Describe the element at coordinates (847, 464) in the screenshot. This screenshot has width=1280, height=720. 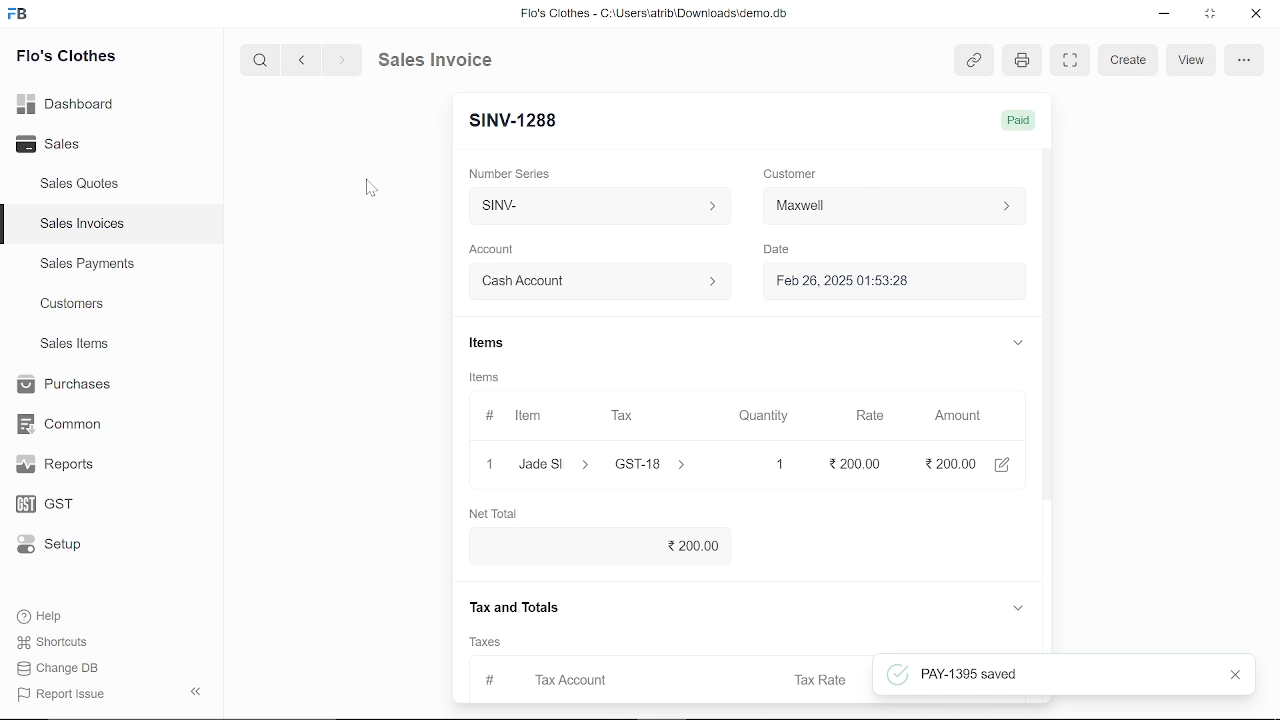
I see `200.00` at that location.